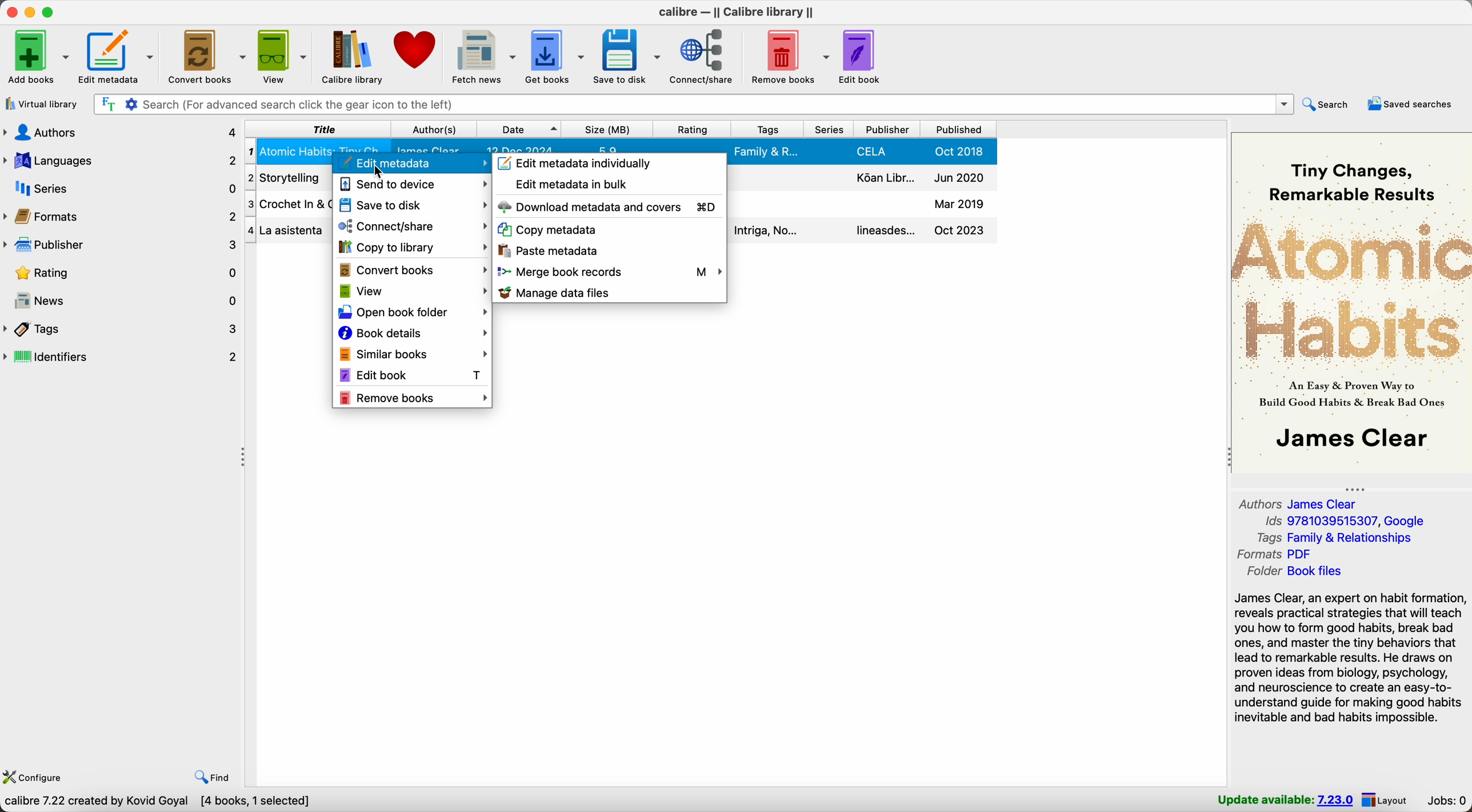  What do you see at coordinates (1334, 538) in the screenshot?
I see `tags` at bounding box center [1334, 538].